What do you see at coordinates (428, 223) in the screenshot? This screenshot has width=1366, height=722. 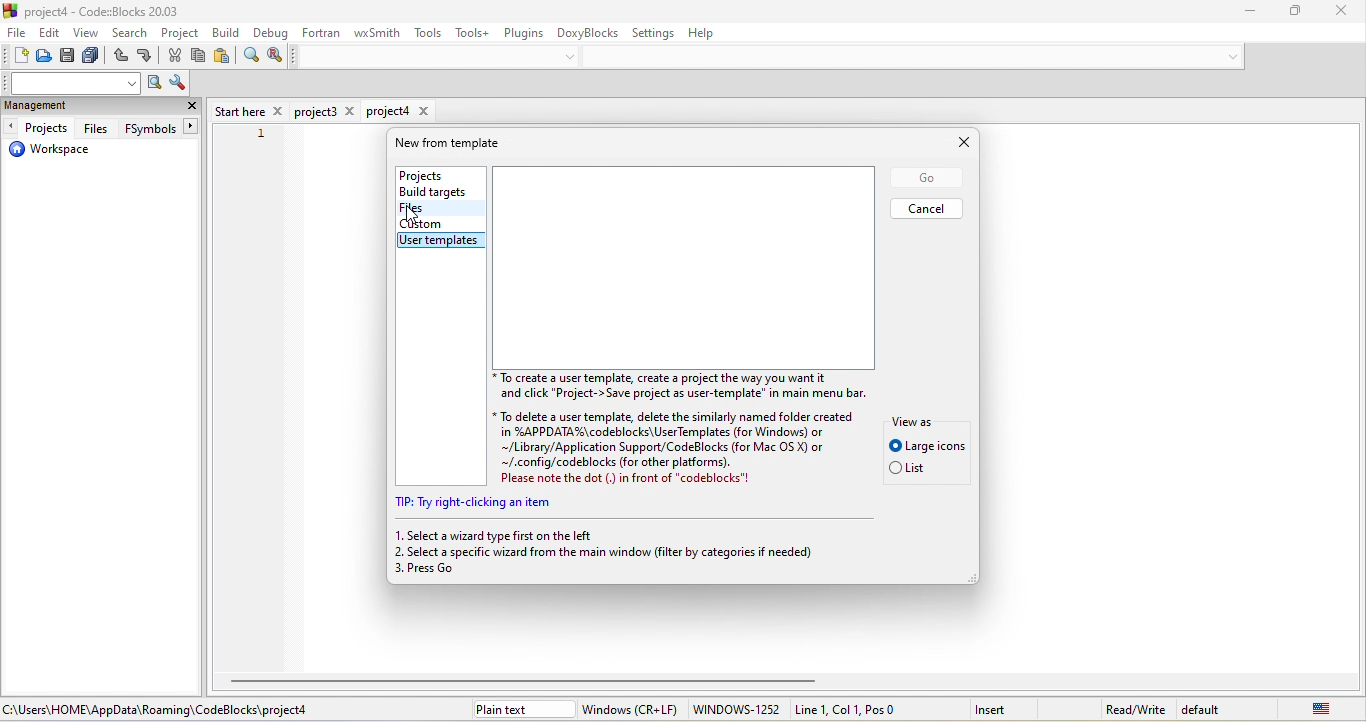 I see `custom` at bounding box center [428, 223].